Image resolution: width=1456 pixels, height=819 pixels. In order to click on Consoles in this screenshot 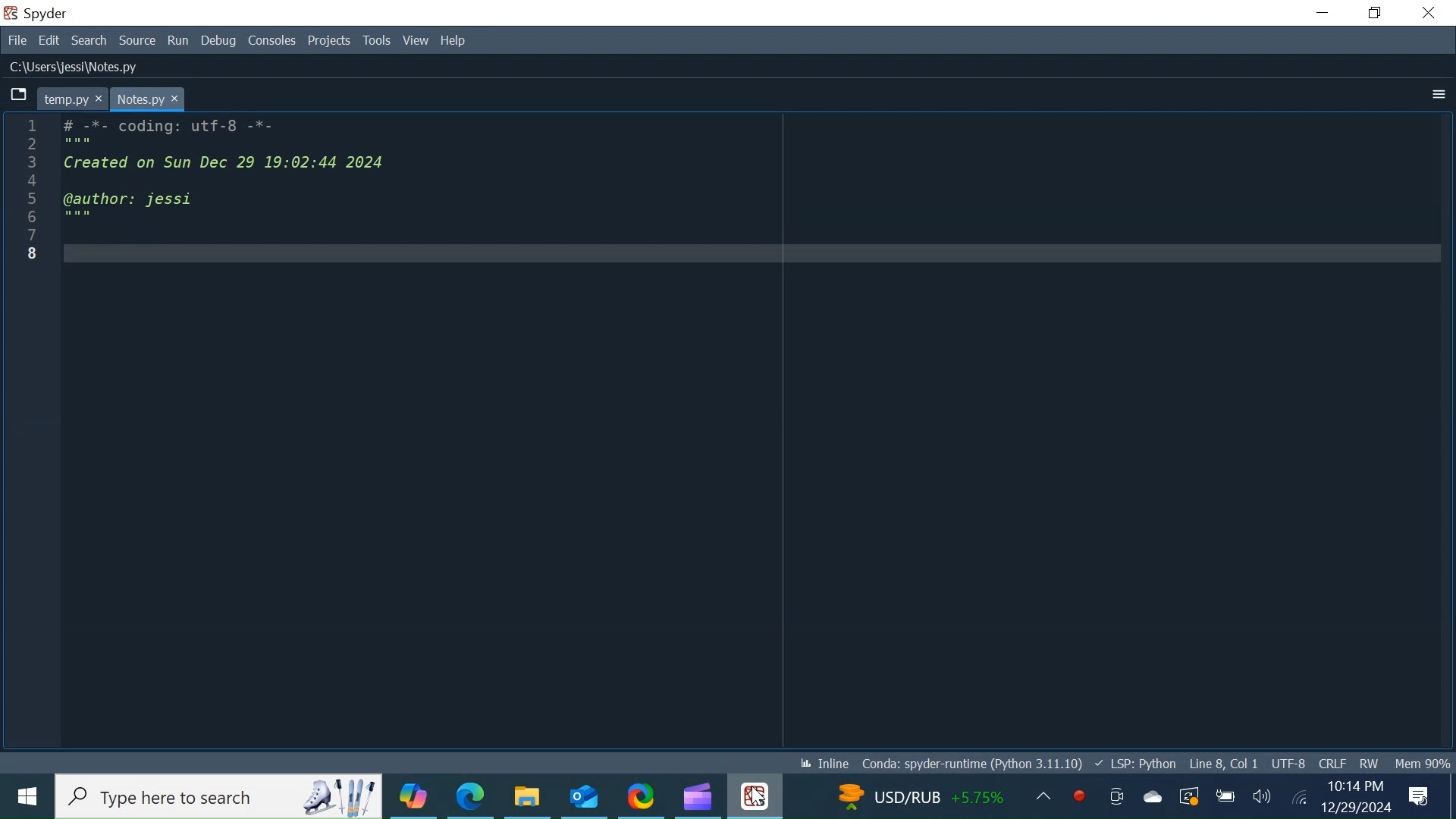, I will do `click(274, 39)`.